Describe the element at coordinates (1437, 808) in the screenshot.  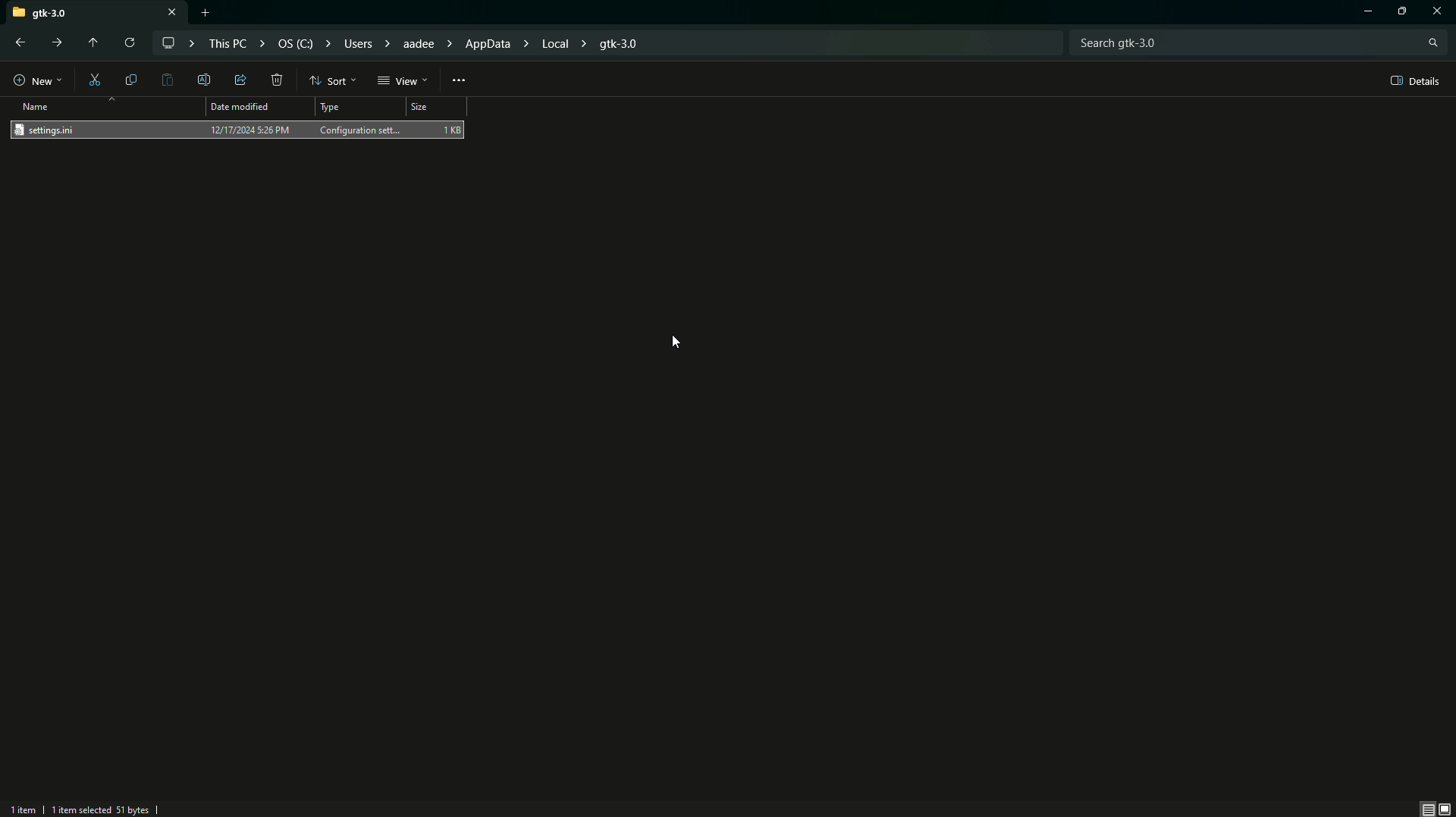
I see `Thumbnail view` at that location.